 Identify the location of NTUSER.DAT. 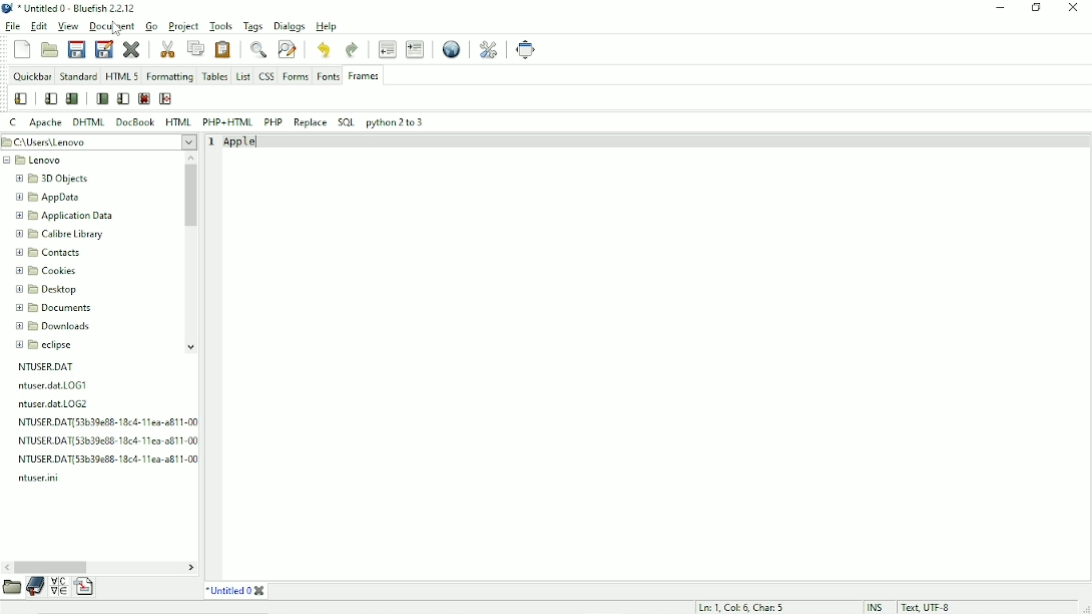
(49, 367).